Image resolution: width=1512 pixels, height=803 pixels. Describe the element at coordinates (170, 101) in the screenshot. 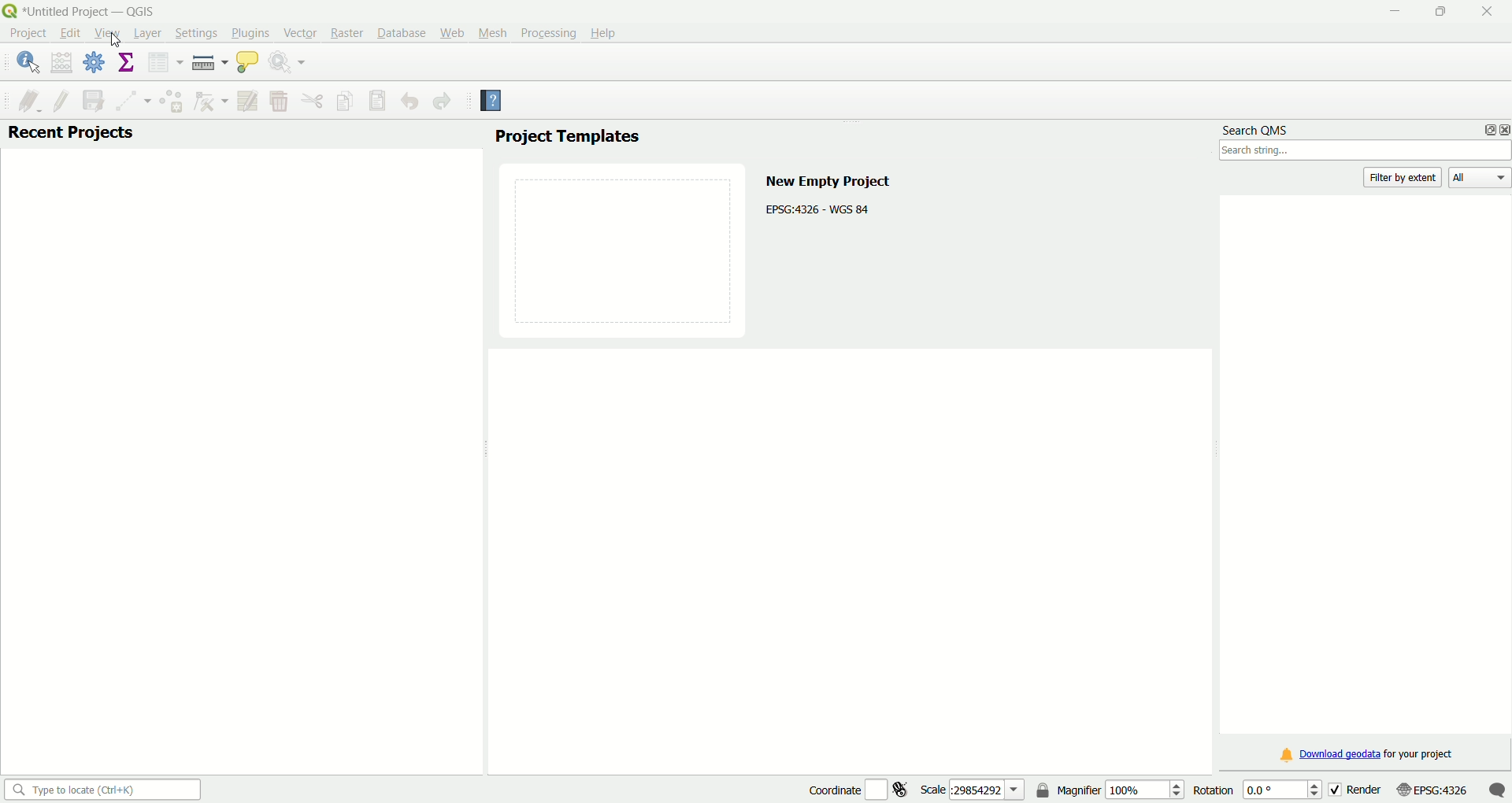

I see `add feature` at that location.